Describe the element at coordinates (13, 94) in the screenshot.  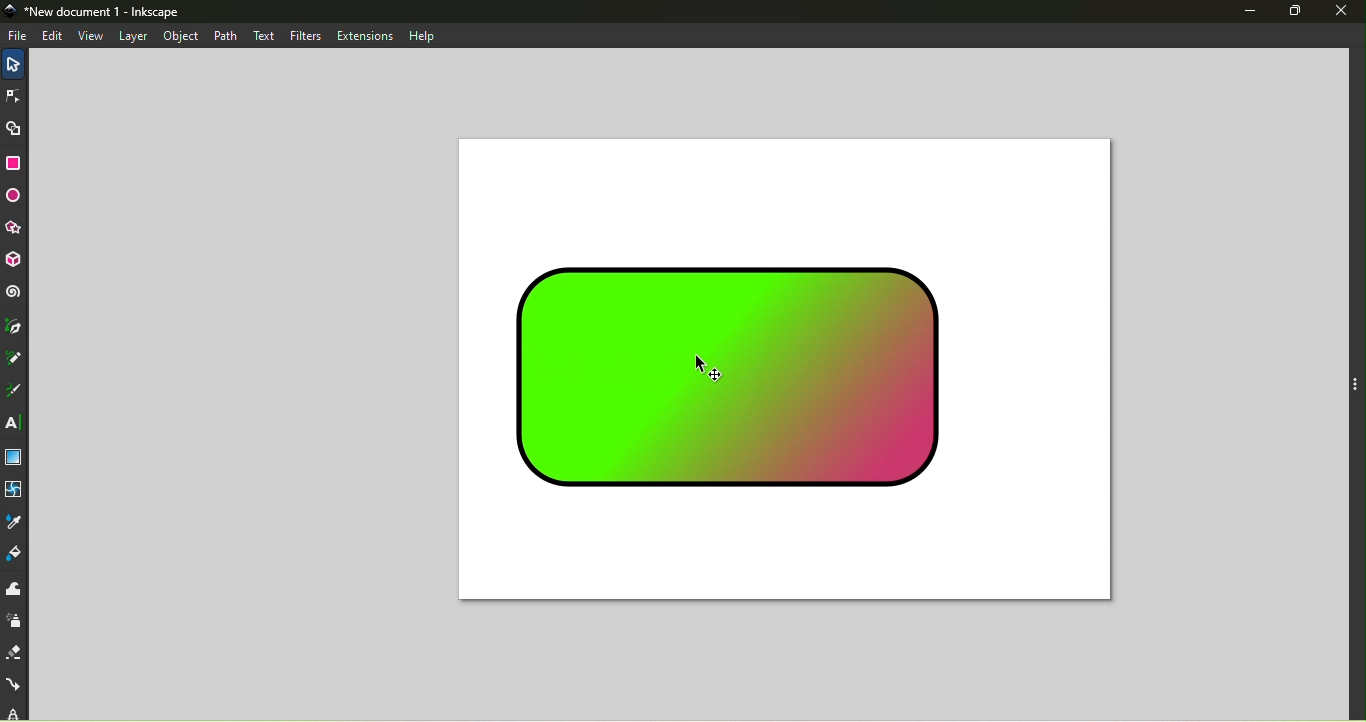
I see `Node tool` at that location.